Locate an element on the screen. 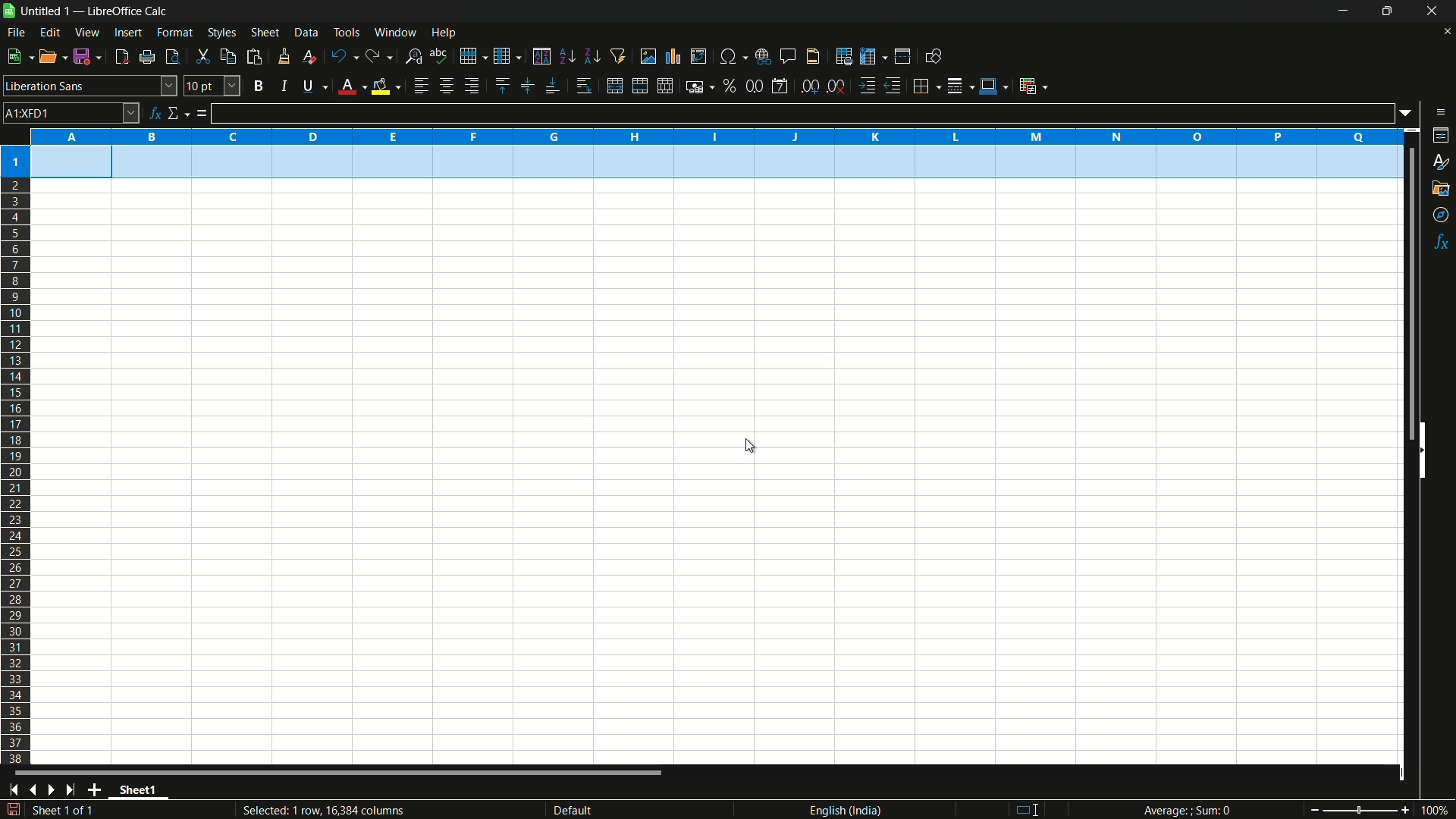 This screenshot has width=1456, height=819. close current sheet is located at coordinates (1445, 35).